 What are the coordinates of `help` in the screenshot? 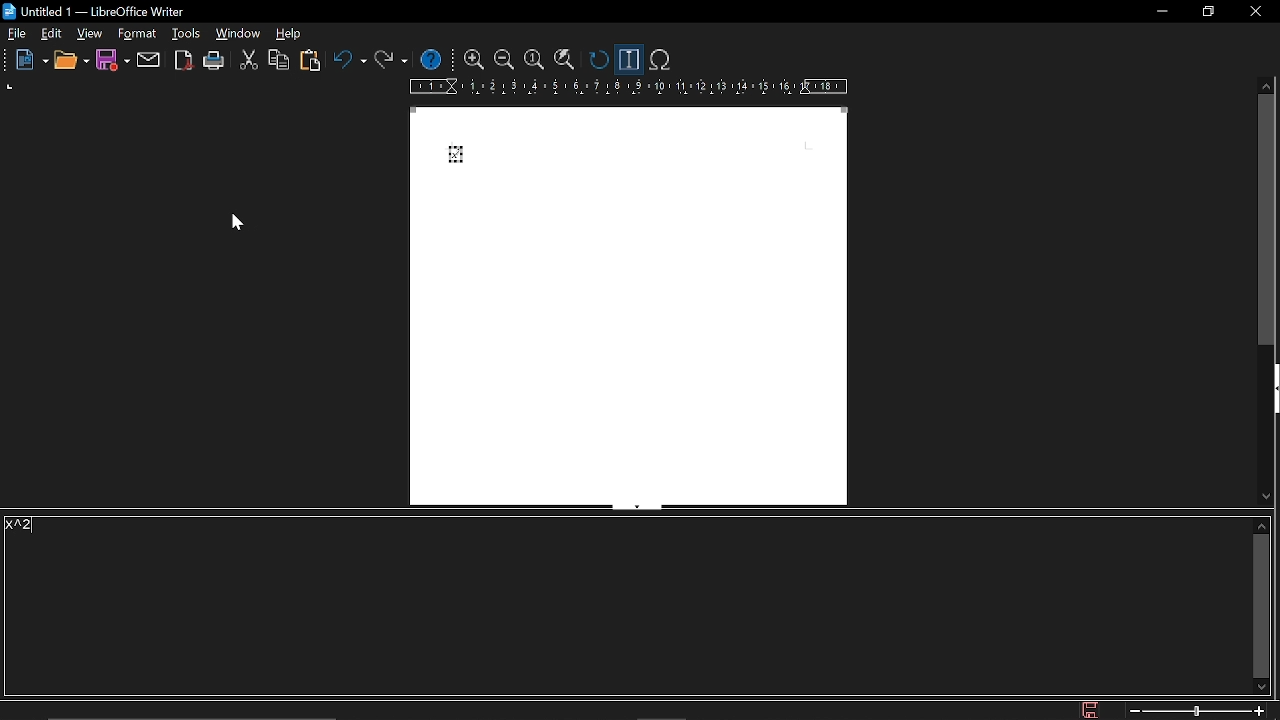 It's located at (433, 59).